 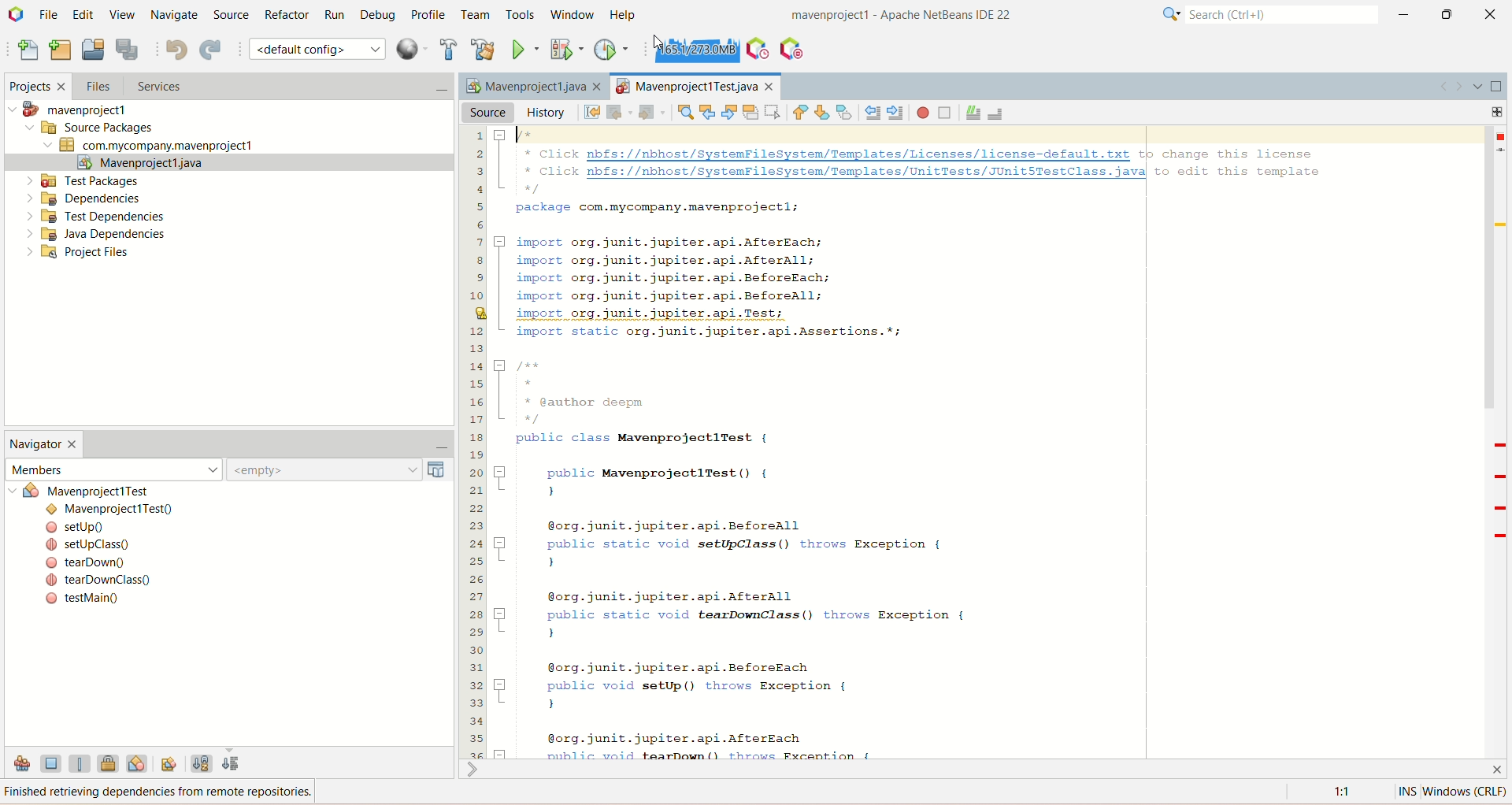 I want to click on source, so click(x=489, y=110).